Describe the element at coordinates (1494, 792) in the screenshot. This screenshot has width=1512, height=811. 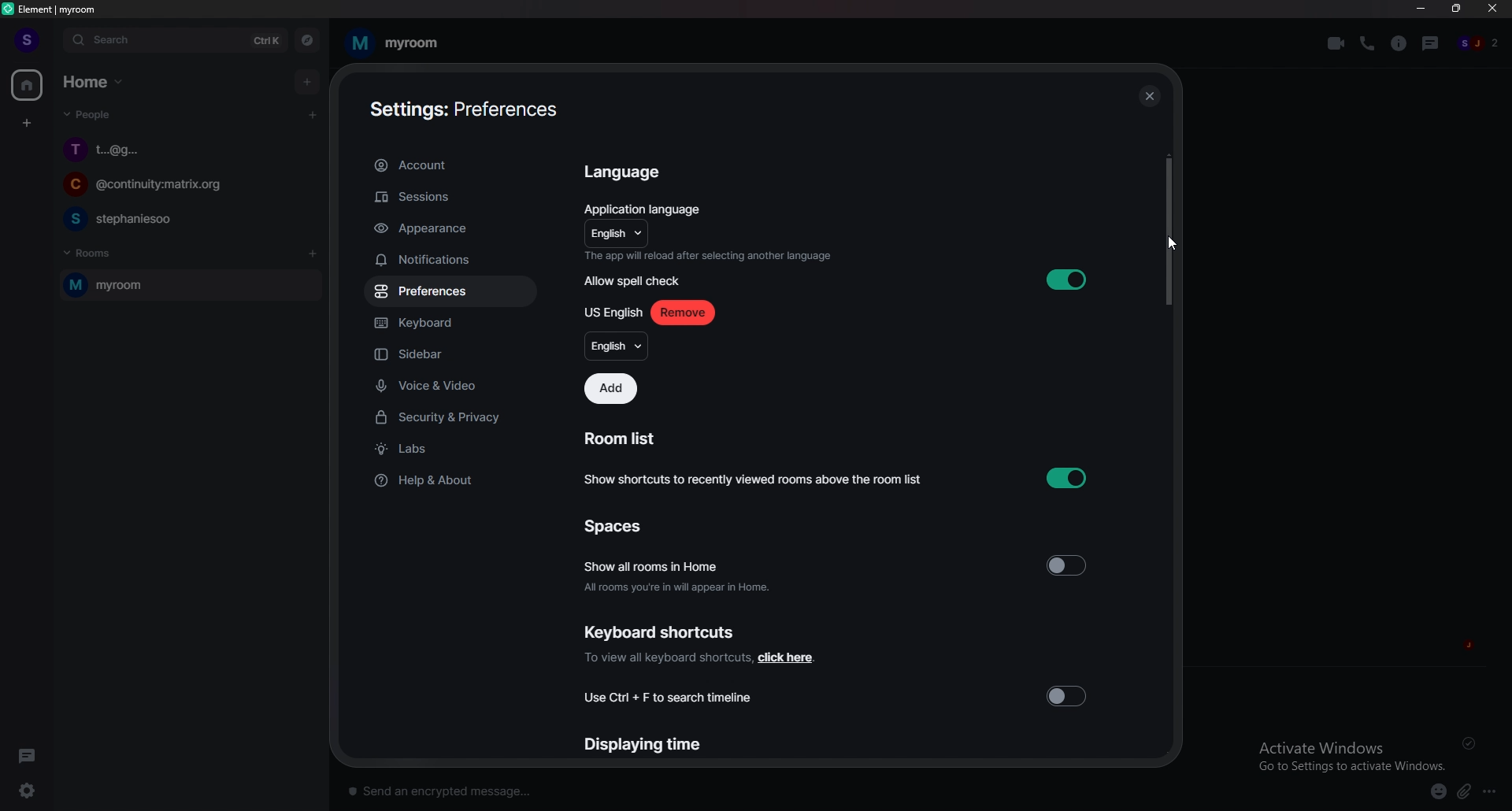
I see `more options` at that location.